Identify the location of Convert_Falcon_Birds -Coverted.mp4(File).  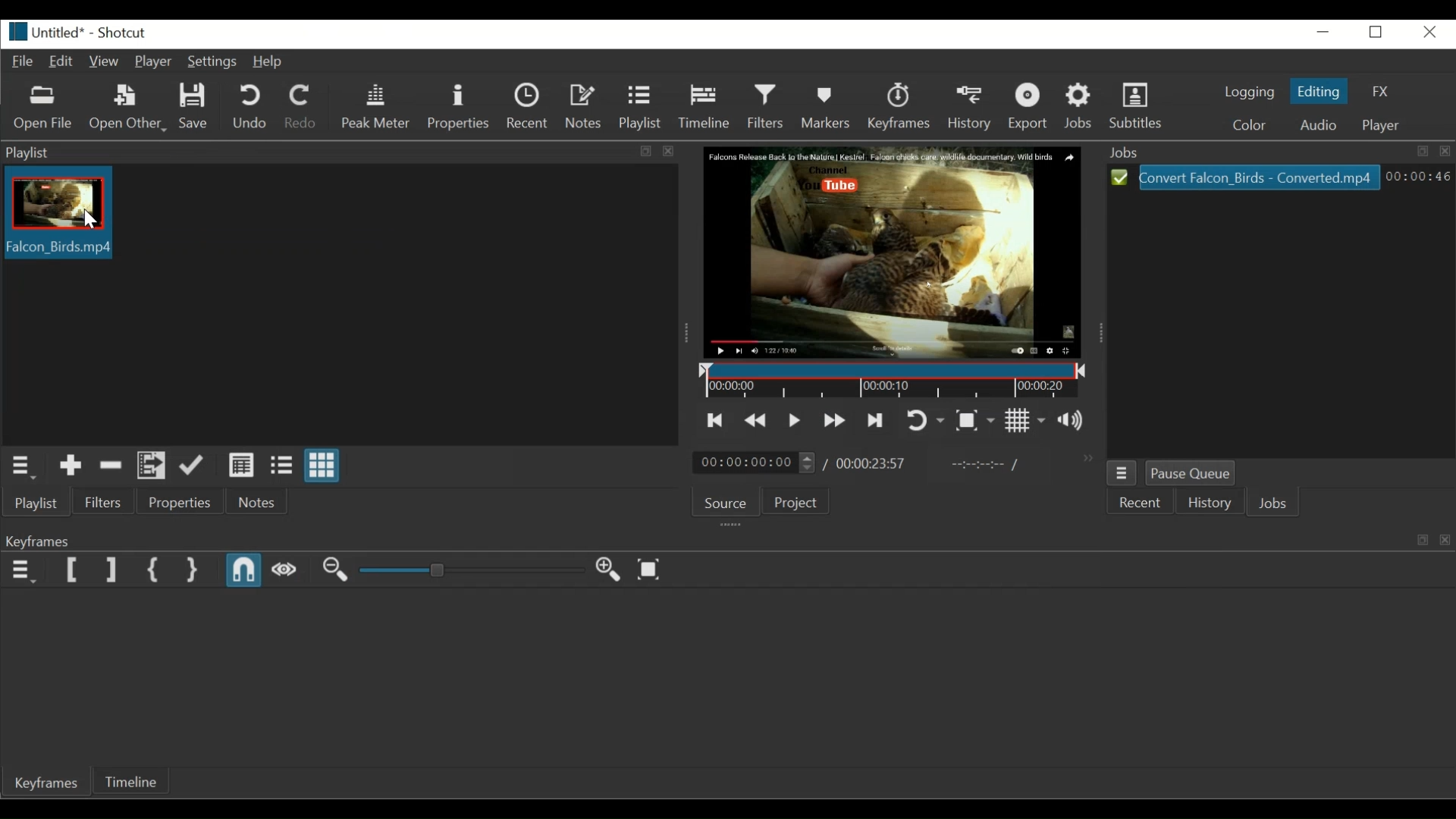
(1246, 177).